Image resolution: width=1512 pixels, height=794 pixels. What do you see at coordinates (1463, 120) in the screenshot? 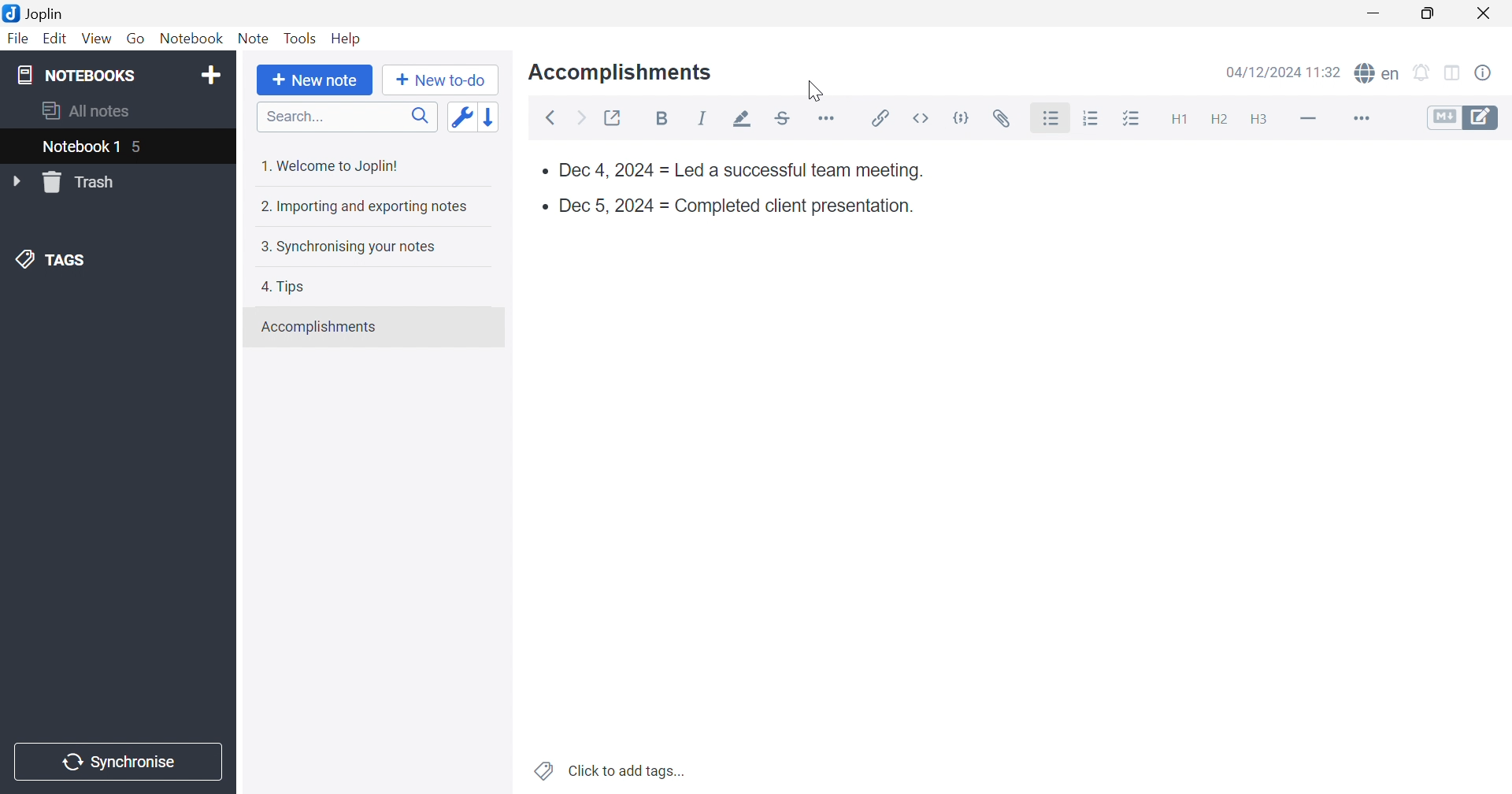
I see `Toggle editors` at bounding box center [1463, 120].